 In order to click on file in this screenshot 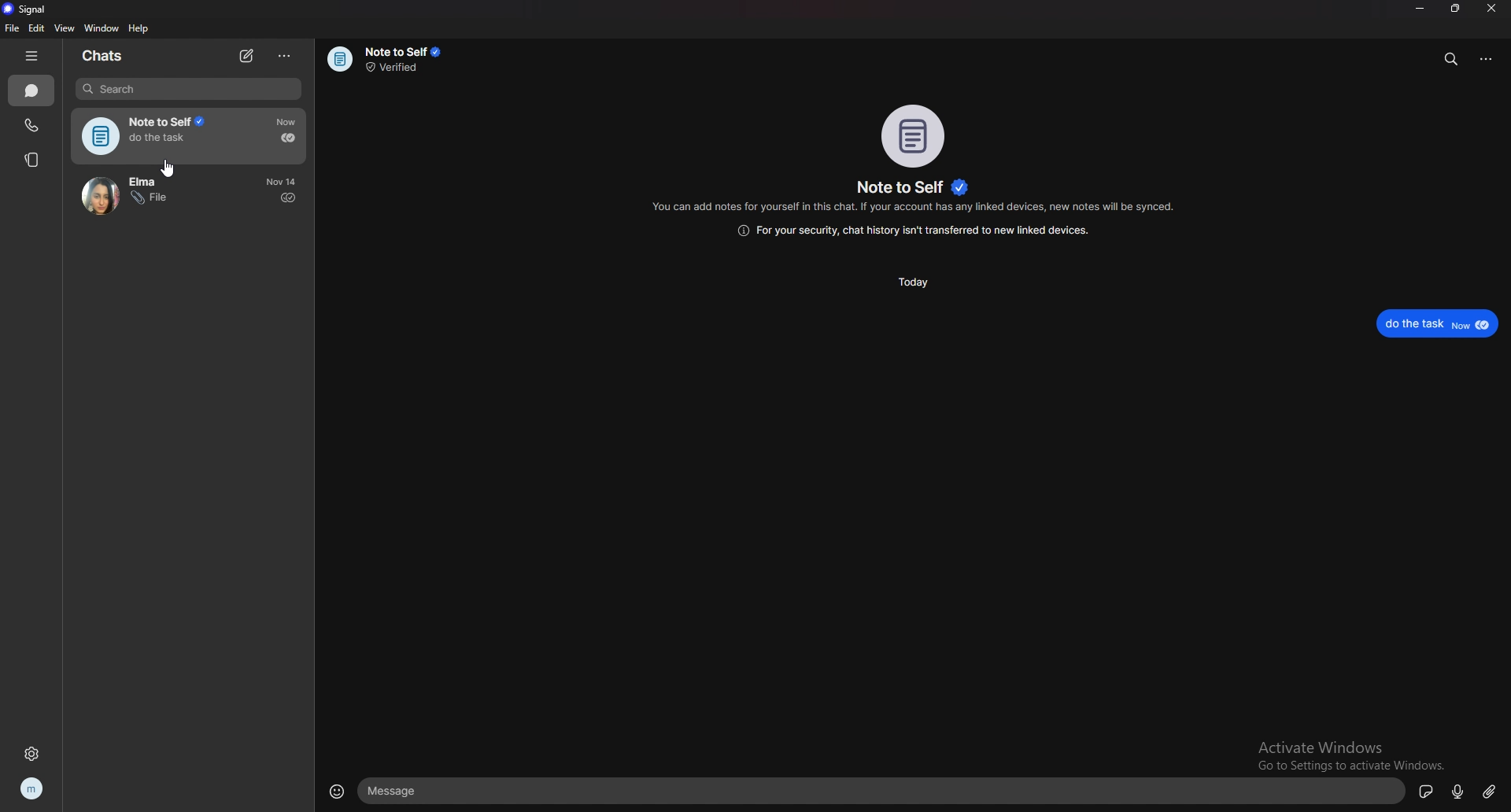, I will do `click(11, 28)`.